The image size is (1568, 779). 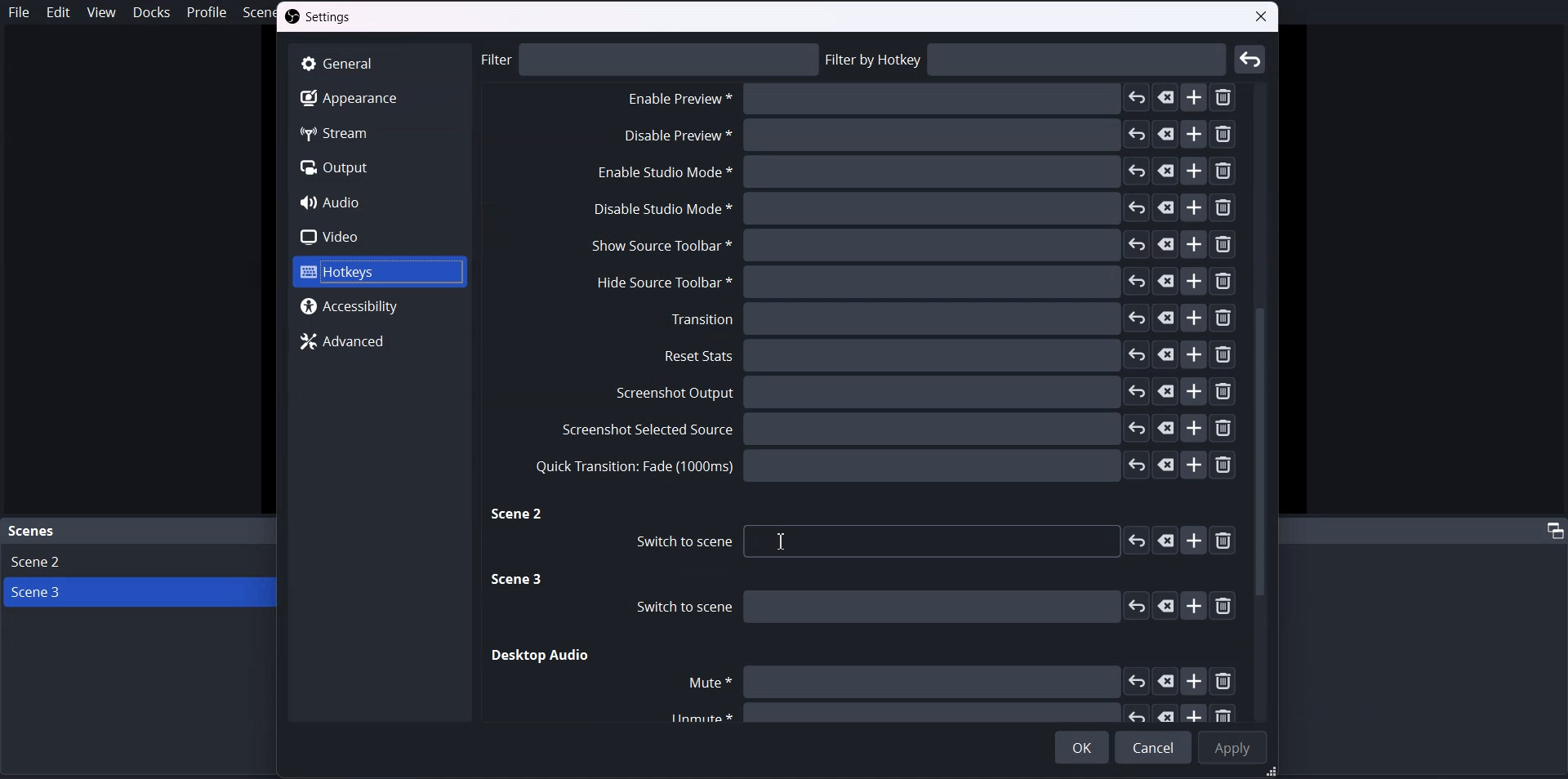 I want to click on Scene three, so click(x=519, y=581).